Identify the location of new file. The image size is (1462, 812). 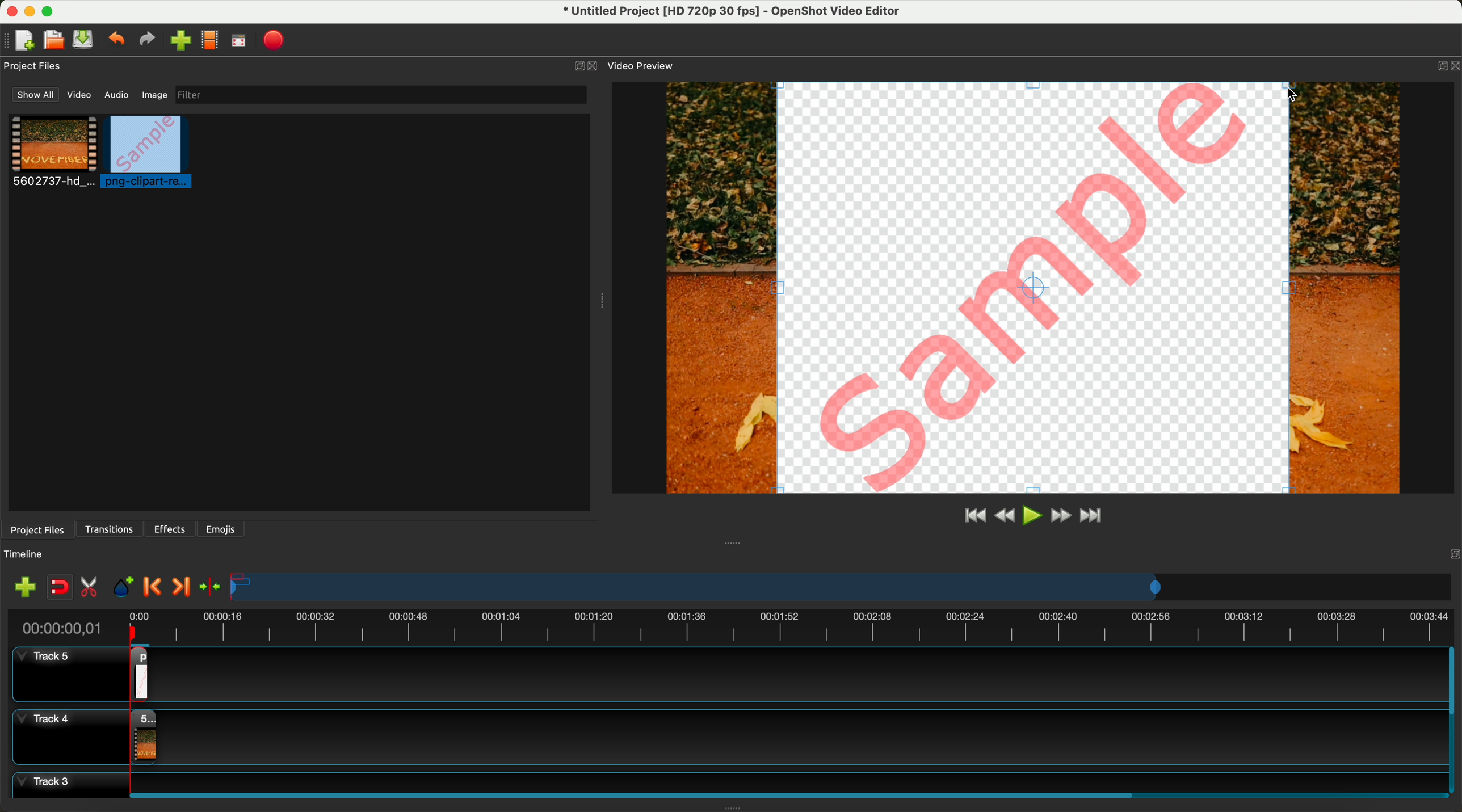
(21, 40).